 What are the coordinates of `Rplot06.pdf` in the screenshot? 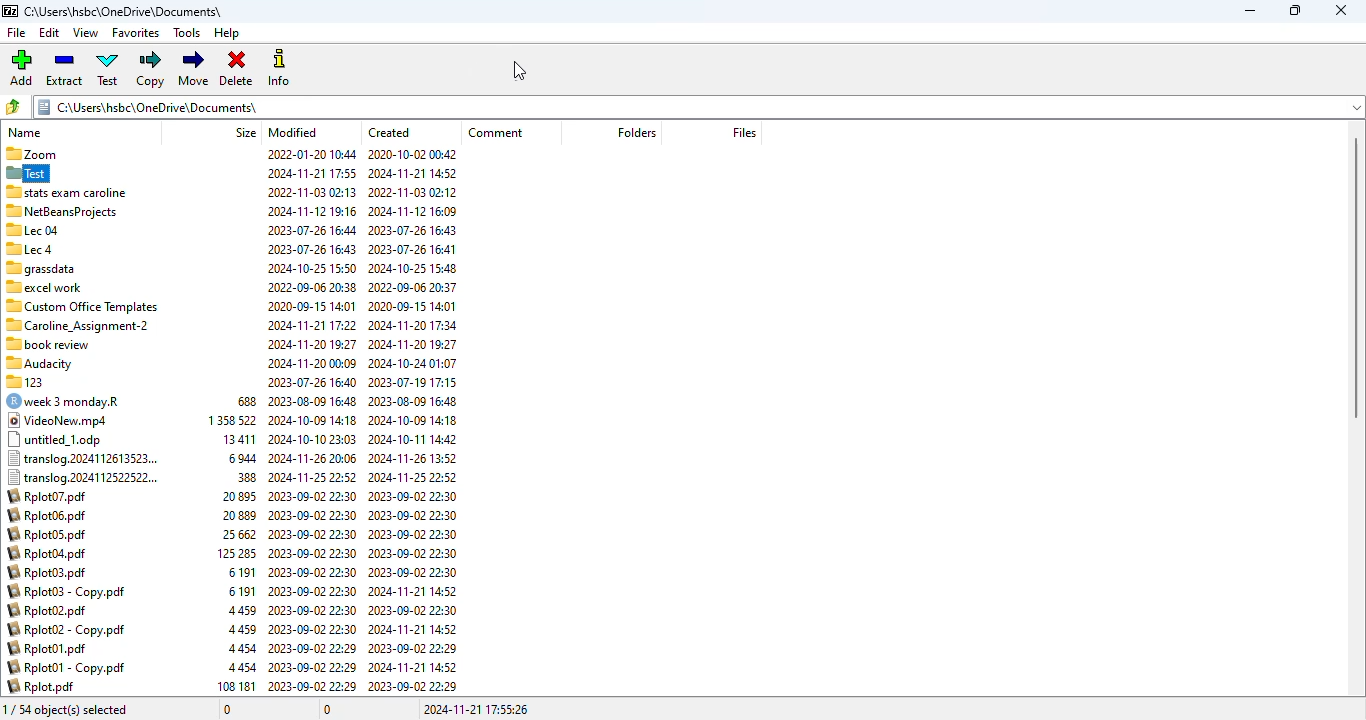 It's located at (46, 515).